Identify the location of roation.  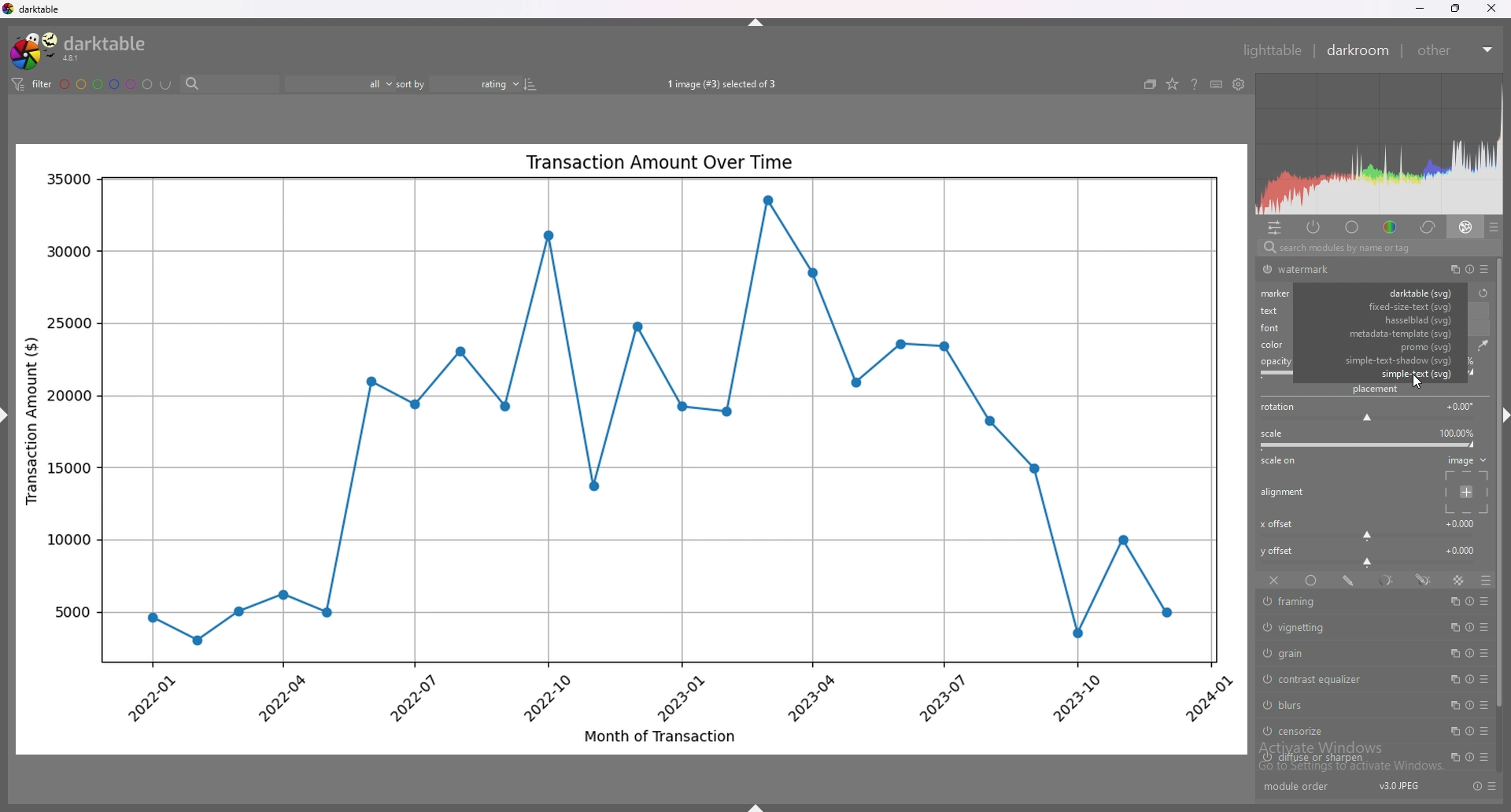
(1277, 408).